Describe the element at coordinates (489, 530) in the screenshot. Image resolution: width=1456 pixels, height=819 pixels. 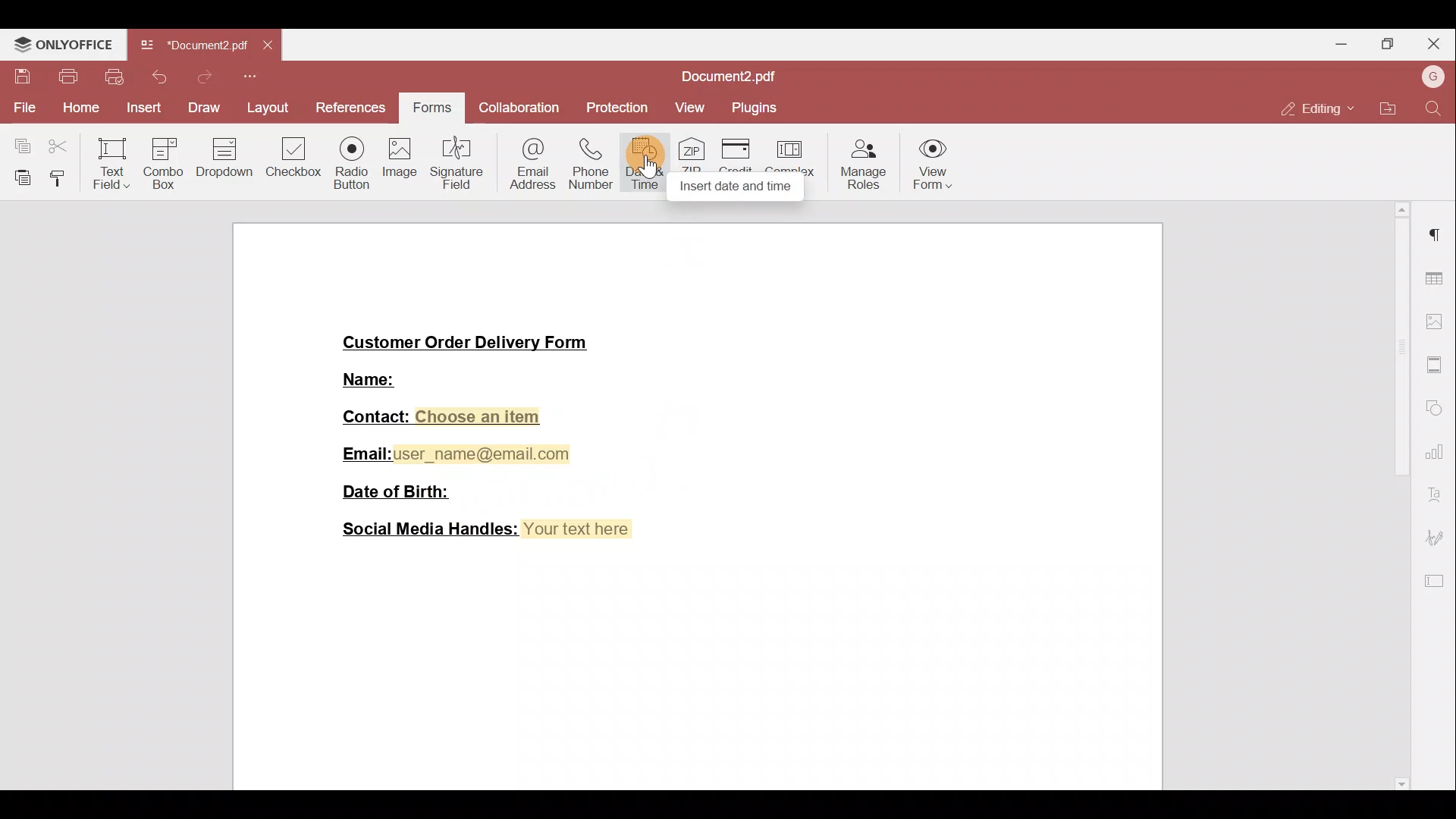
I see `Social Media Handles: Your text here` at that location.